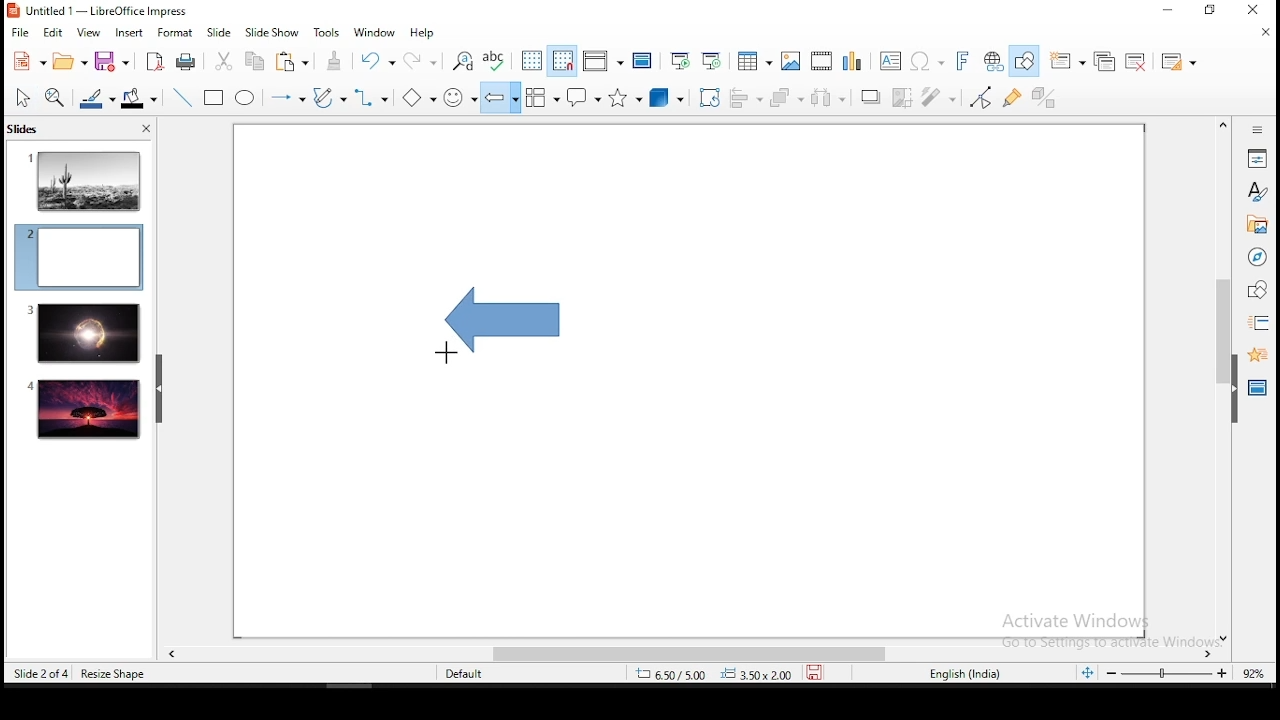 The height and width of the screenshot is (720, 1280). What do you see at coordinates (981, 99) in the screenshot?
I see `toggle point edit mode` at bounding box center [981, 99].